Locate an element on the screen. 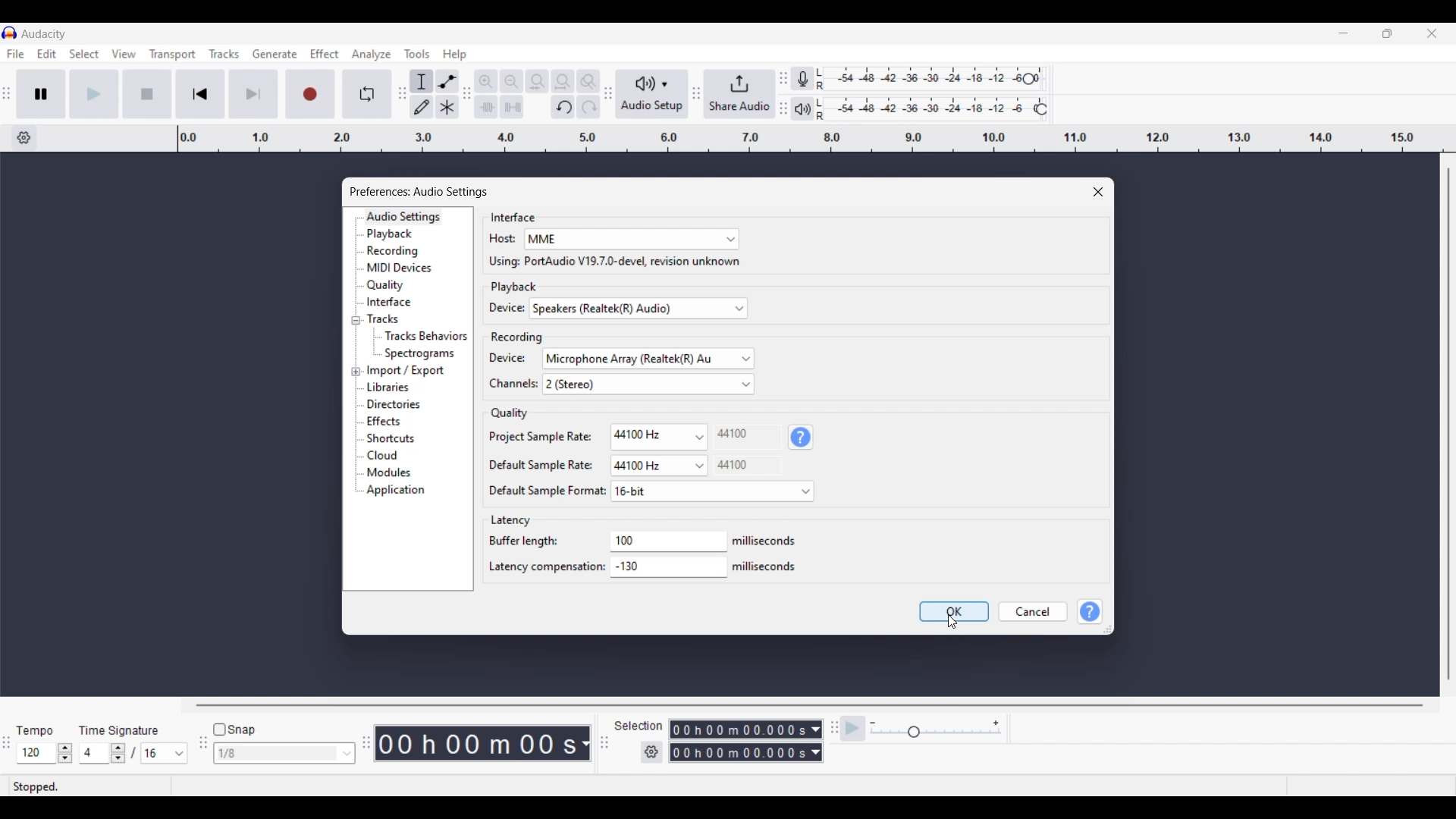 The image size is (1456, 819). Zoom out is located at coordinates (511, 81).